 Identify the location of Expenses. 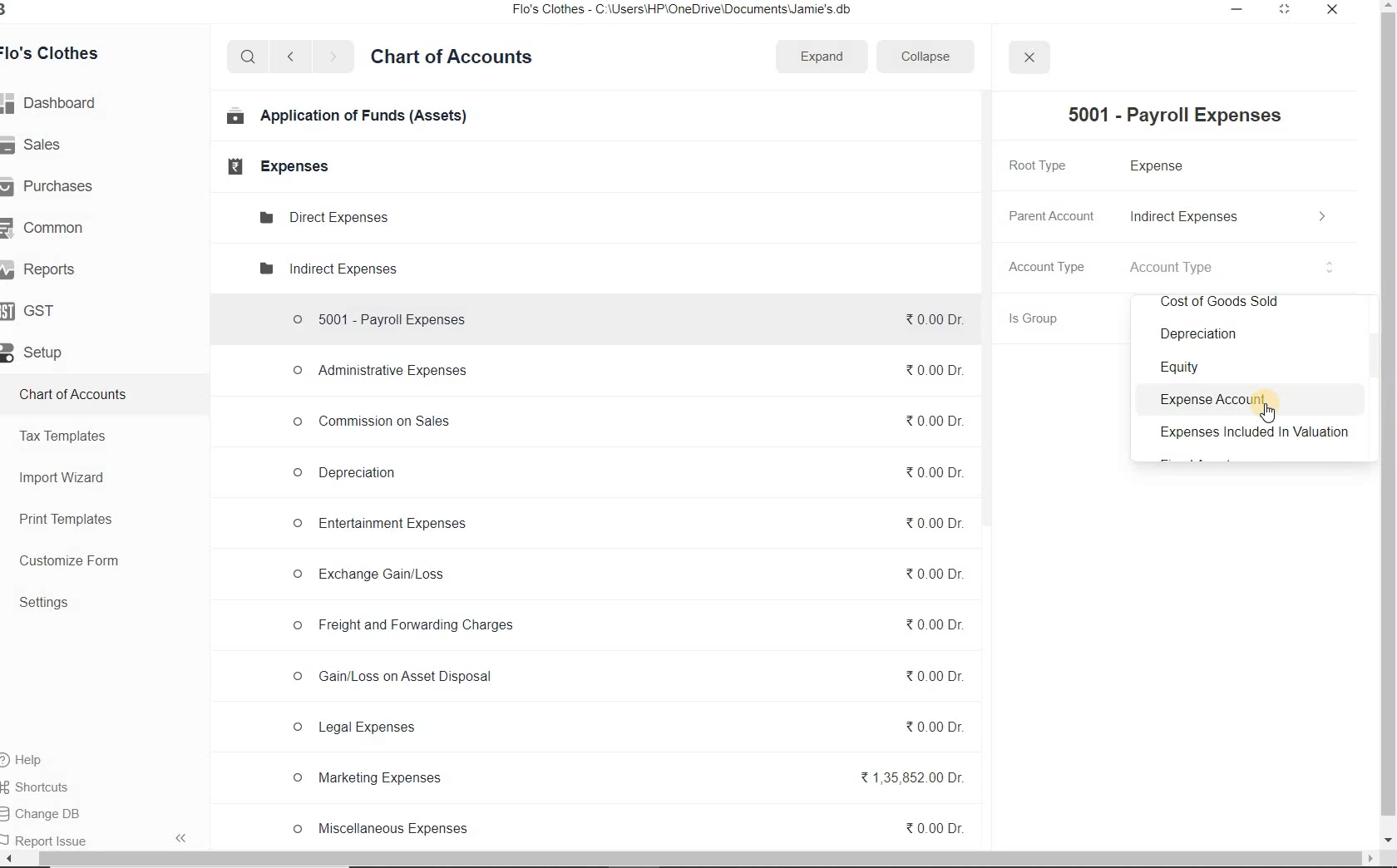
(276, 167).